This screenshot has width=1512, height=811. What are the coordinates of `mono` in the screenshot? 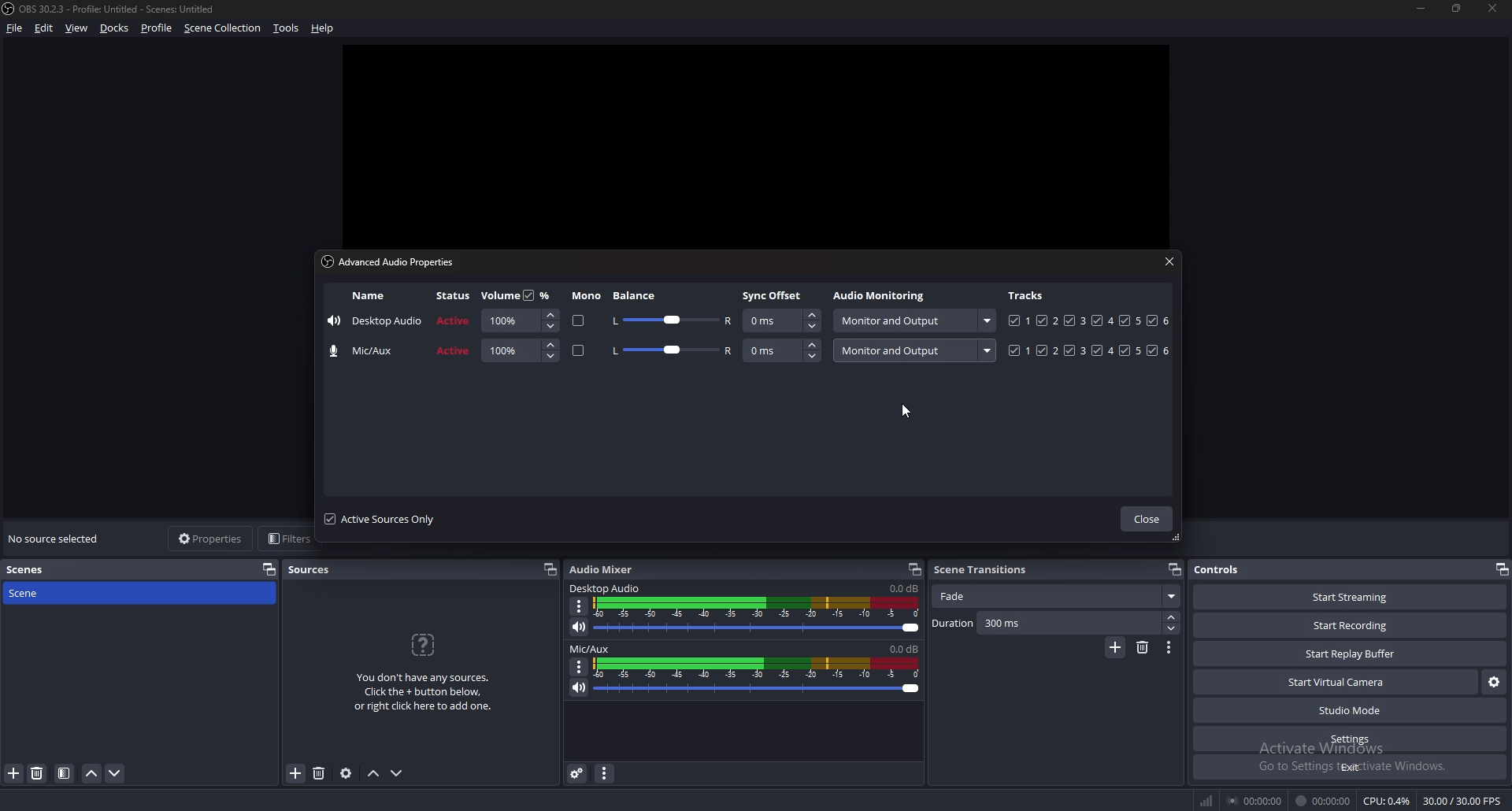 It's located at (586, 296).